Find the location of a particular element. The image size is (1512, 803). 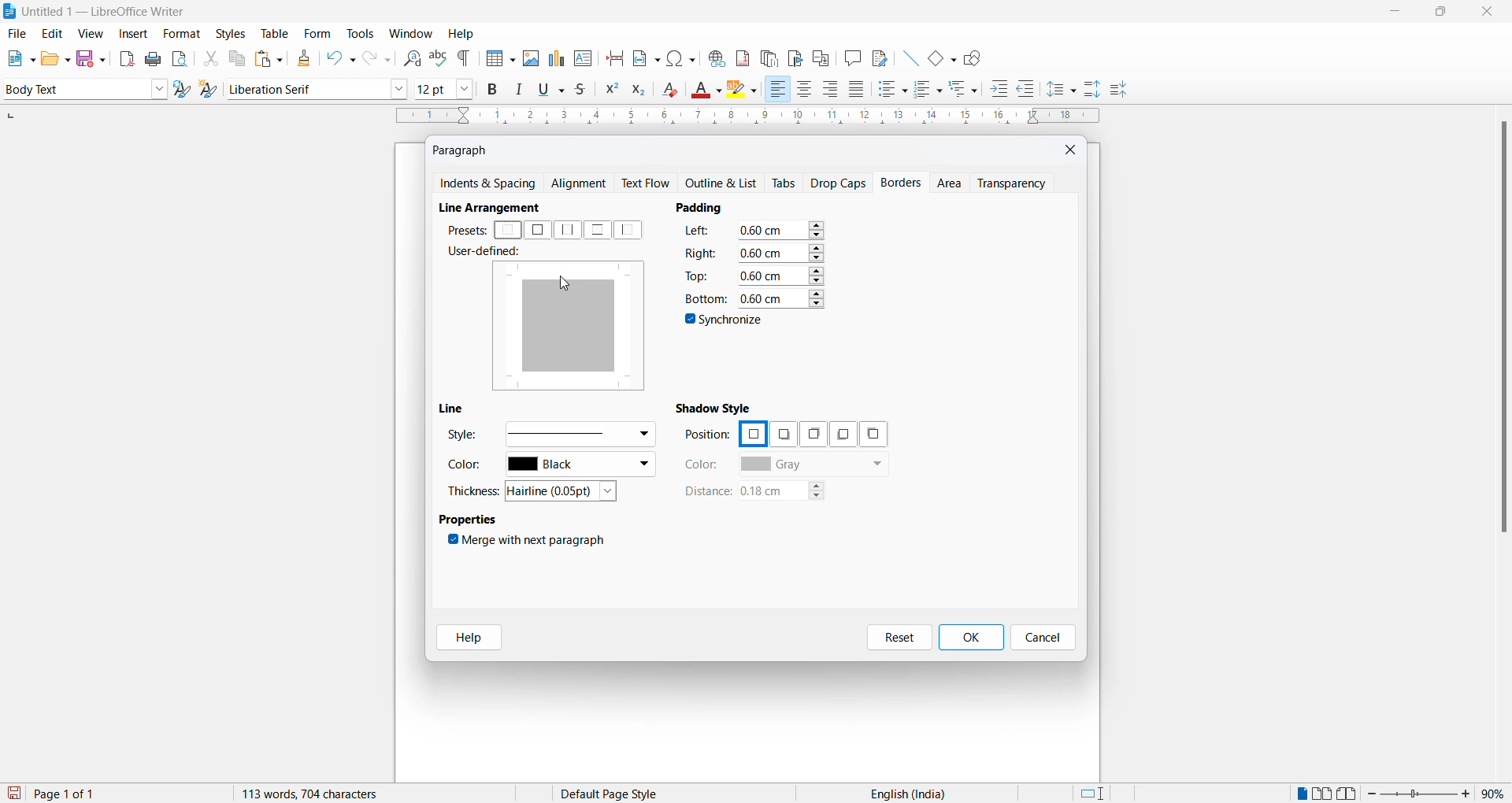

show track changes function is located at coordinates (821, 57).